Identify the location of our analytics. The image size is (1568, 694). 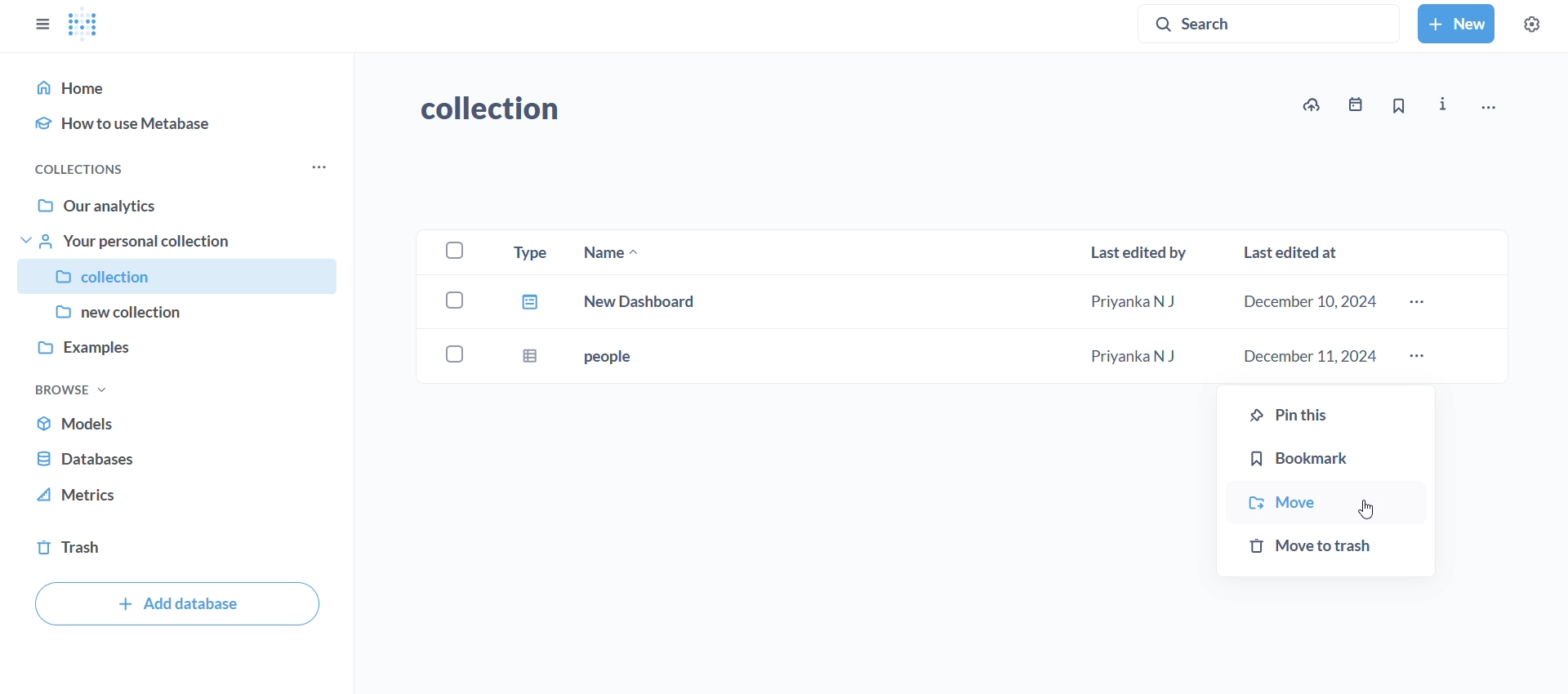
(181, 202).